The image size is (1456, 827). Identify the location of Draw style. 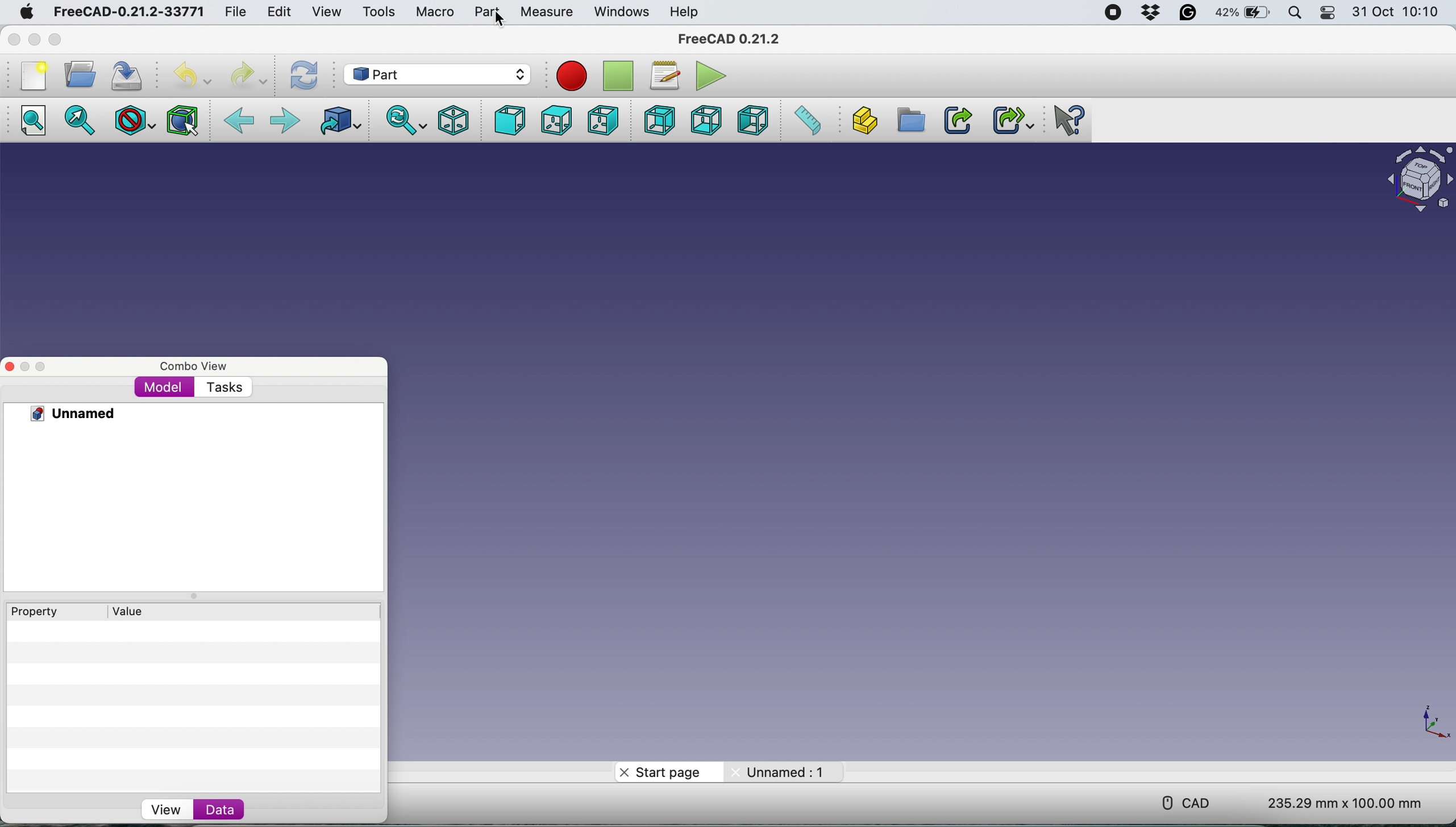
(132, 120).